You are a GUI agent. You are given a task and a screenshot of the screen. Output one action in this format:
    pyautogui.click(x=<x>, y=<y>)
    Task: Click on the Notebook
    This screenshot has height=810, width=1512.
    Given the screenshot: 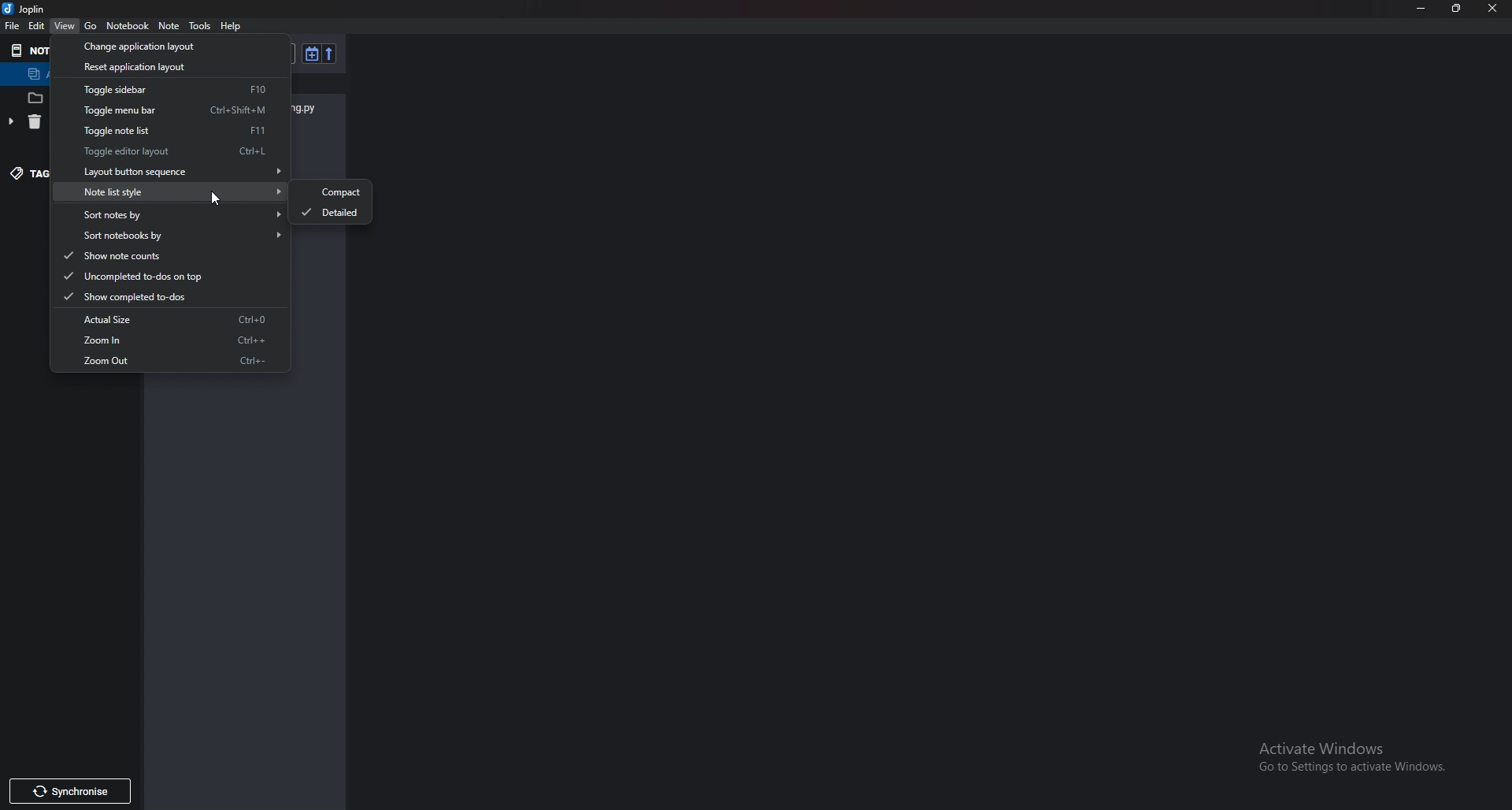 What is the action you would take?
    pyautogui.click(x=128, y=26)
    